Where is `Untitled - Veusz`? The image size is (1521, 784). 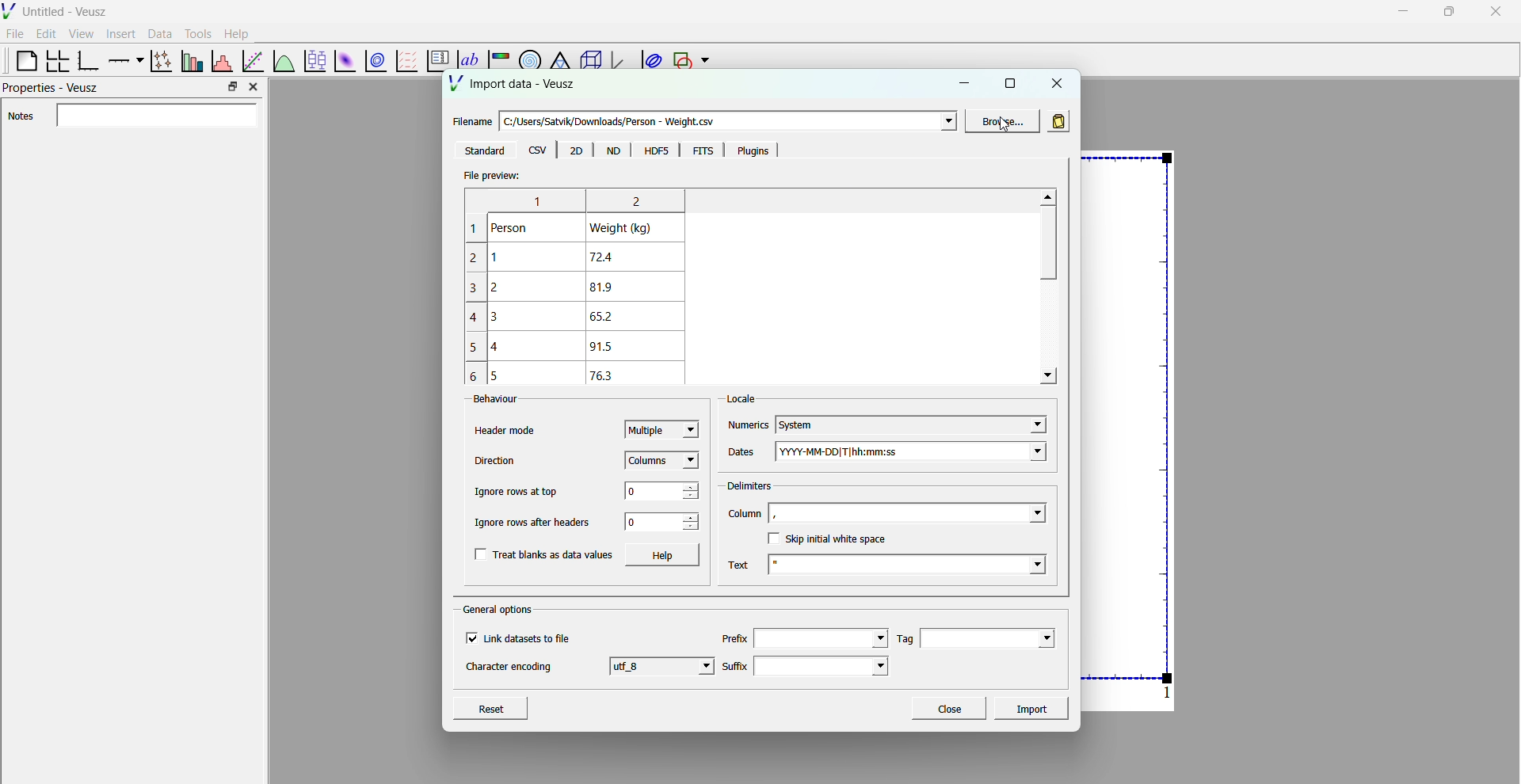 Untitled - Veusz is located at coordinates (67, 12).